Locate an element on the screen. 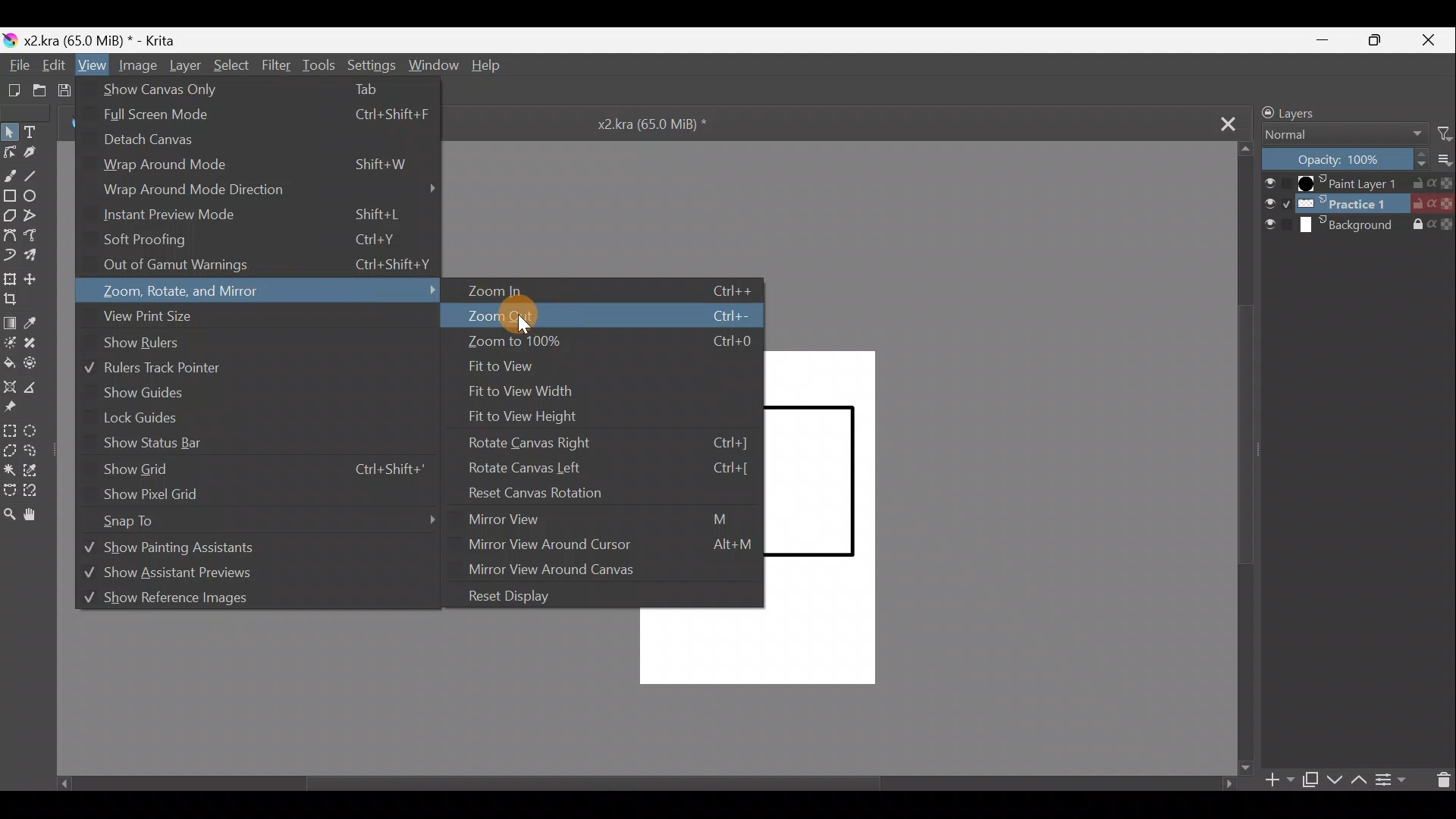  Snap to is located at coordinates (276, 519).